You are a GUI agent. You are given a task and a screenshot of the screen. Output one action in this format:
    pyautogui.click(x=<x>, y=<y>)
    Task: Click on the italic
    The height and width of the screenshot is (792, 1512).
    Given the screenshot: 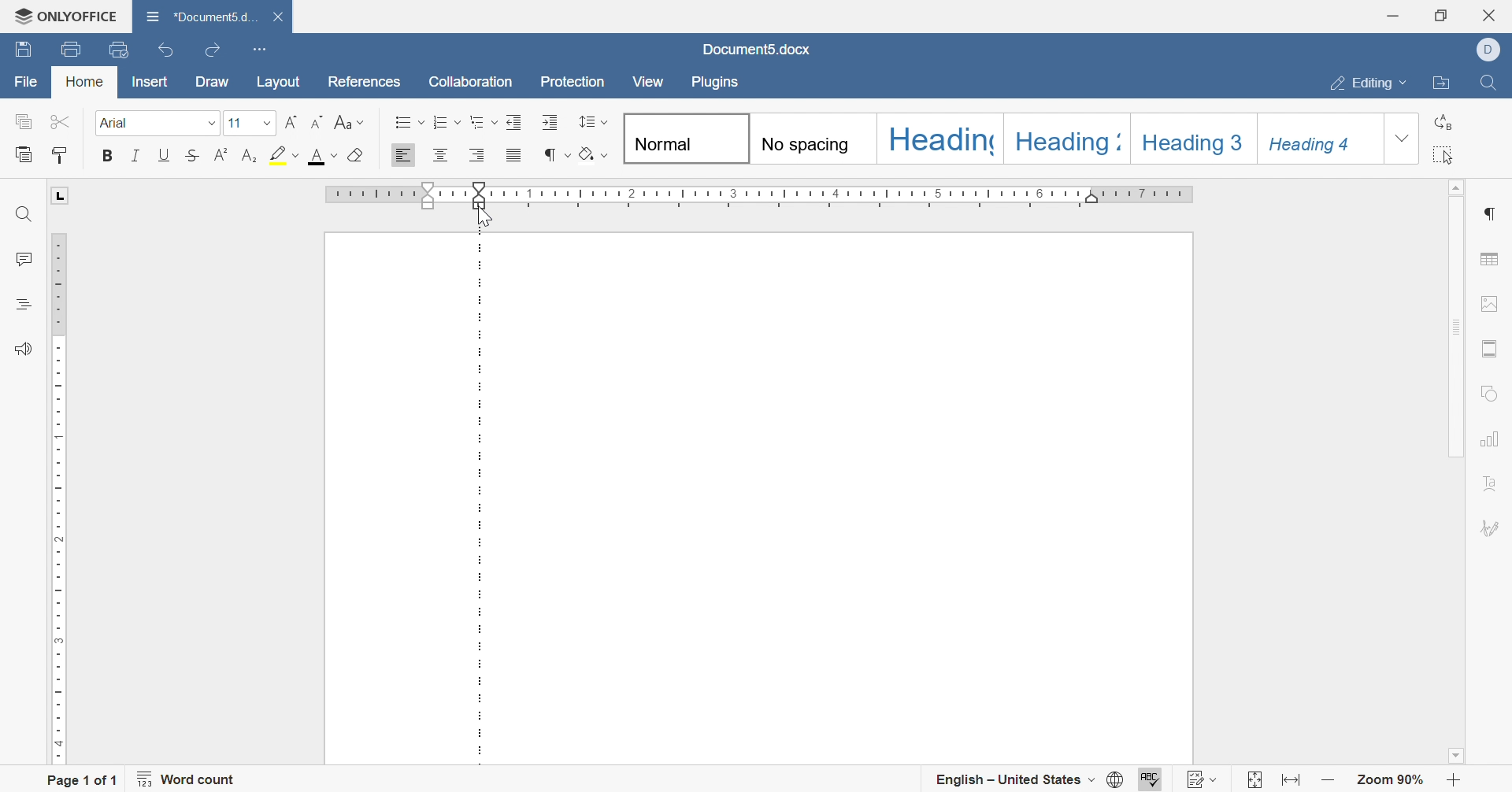 What is the action you would take?
    pyautogui.click(x=135, y=156)
    